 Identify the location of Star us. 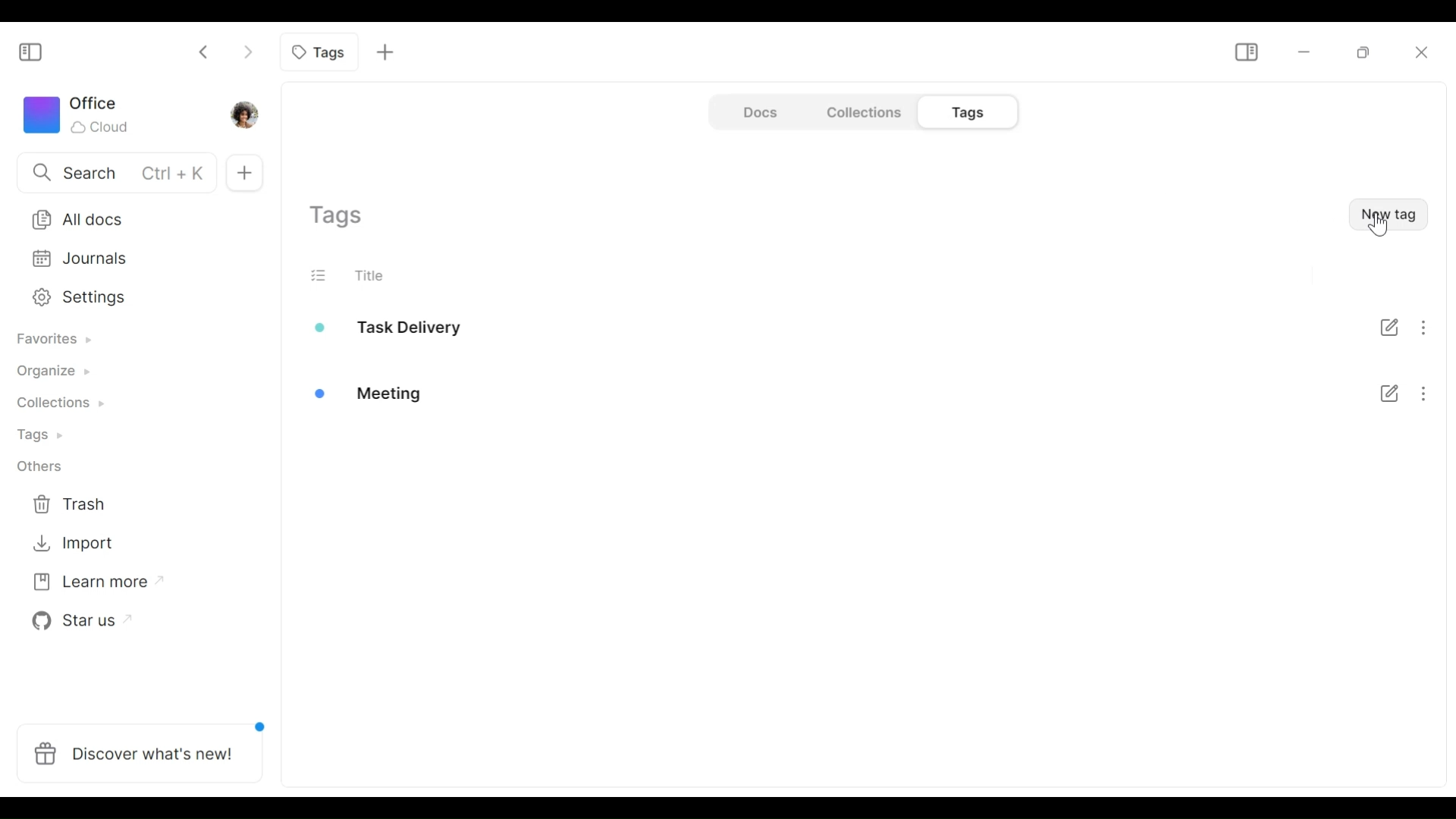
(80, 622).